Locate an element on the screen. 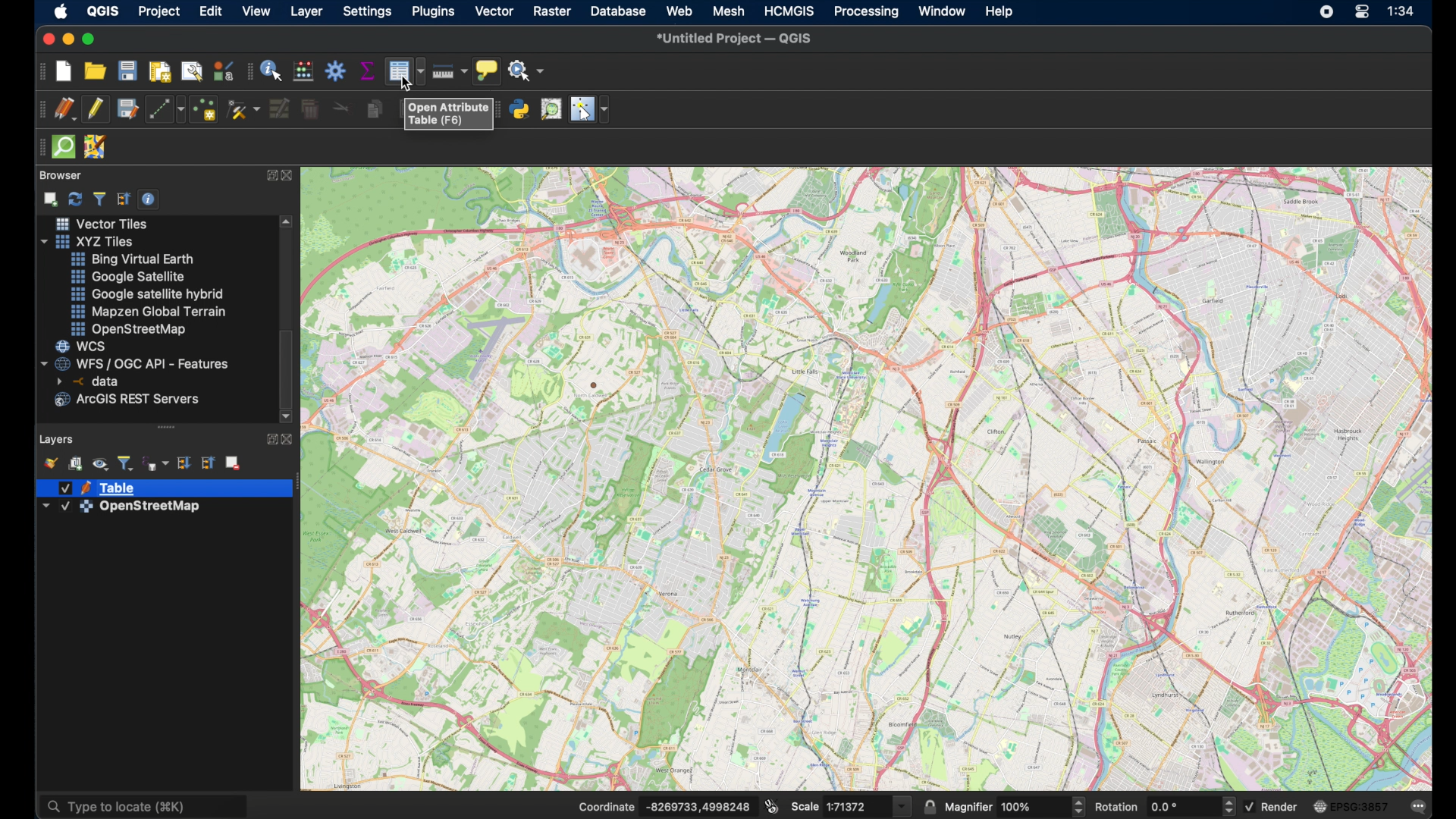 The image size is (1456, 819). arcgis rest server is located at coordinates (129, 400).